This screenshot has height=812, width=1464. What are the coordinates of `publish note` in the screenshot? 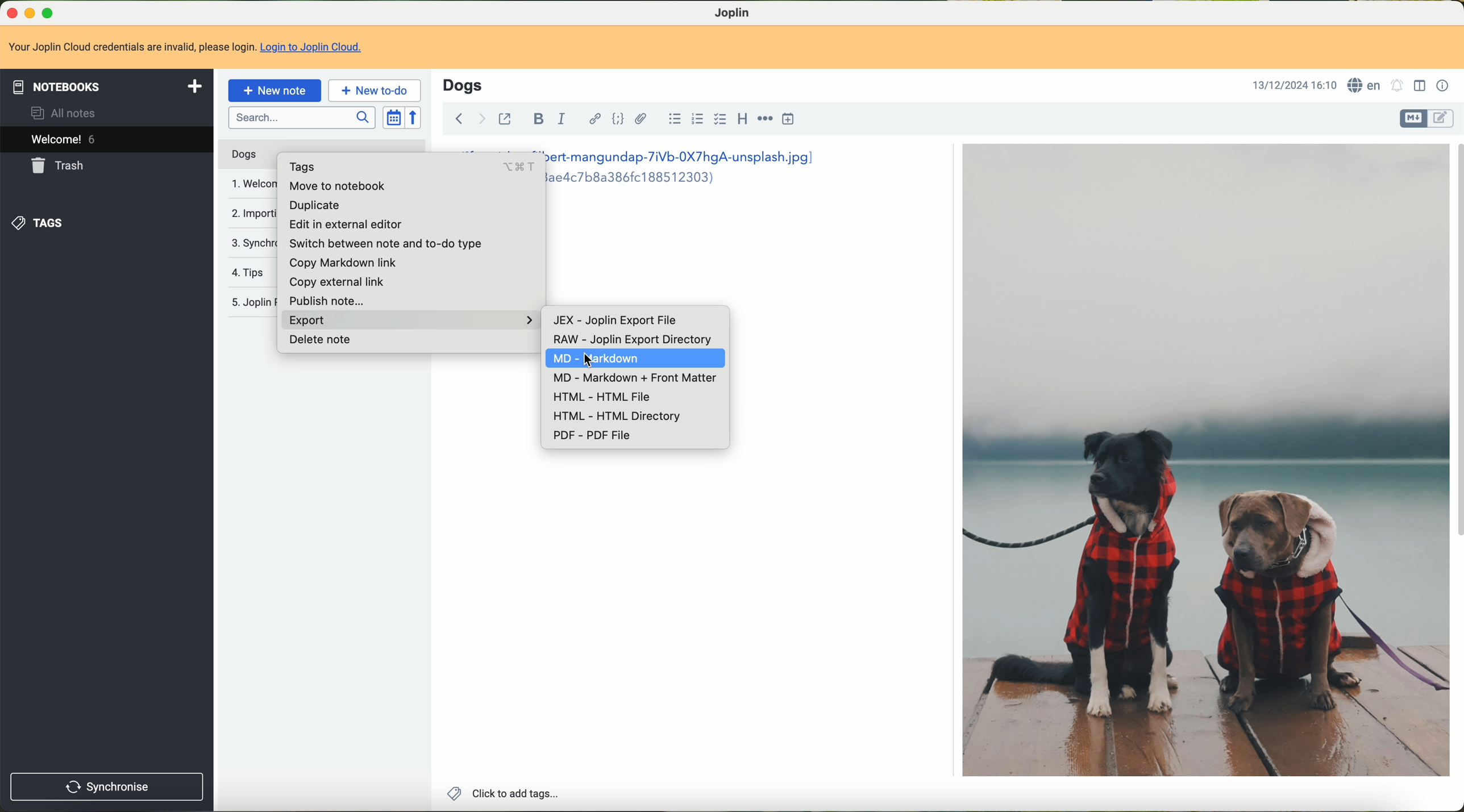 It's located at (331, 298).